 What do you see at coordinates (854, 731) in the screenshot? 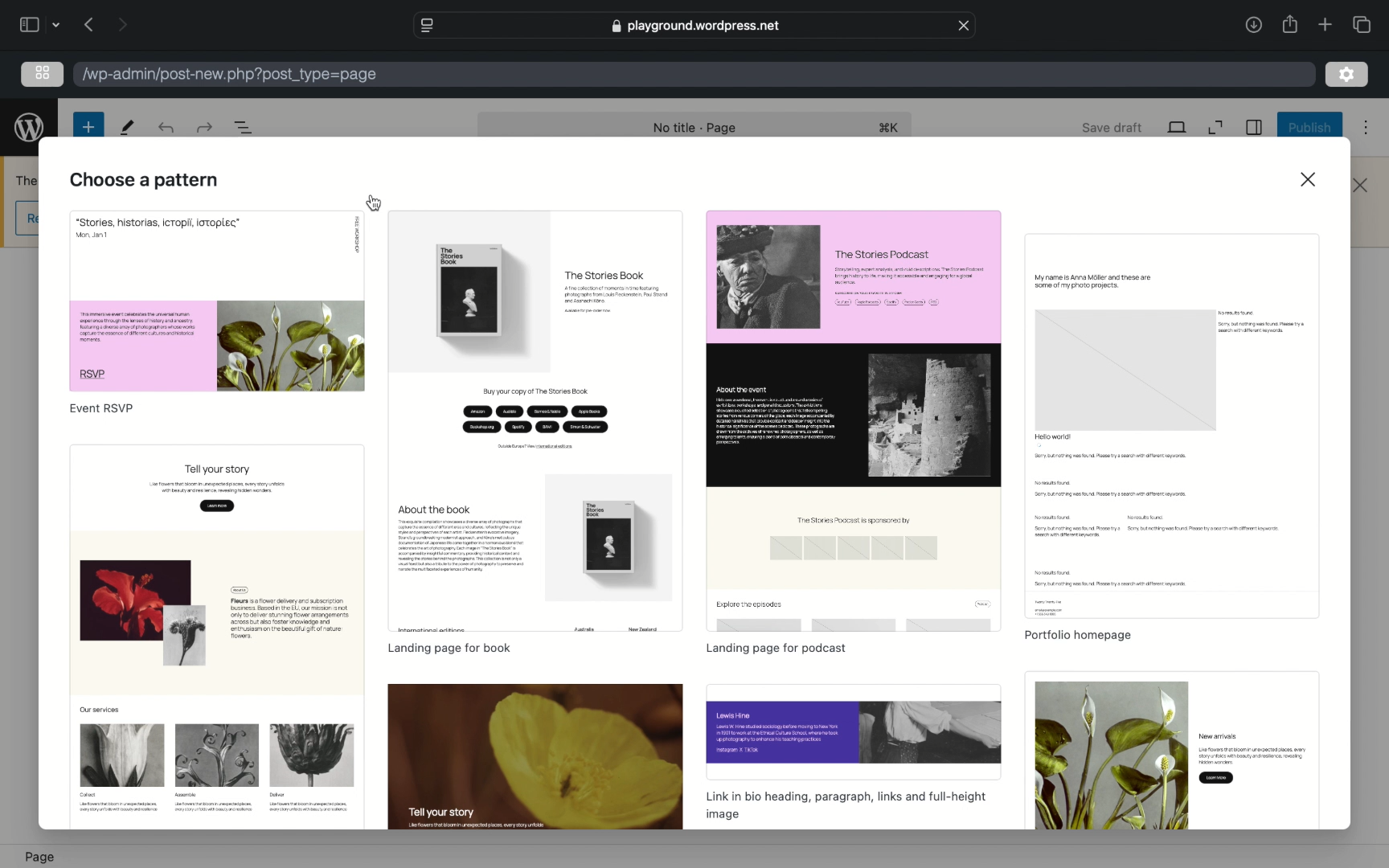
I see `preview` at bounding box center [854, 731].